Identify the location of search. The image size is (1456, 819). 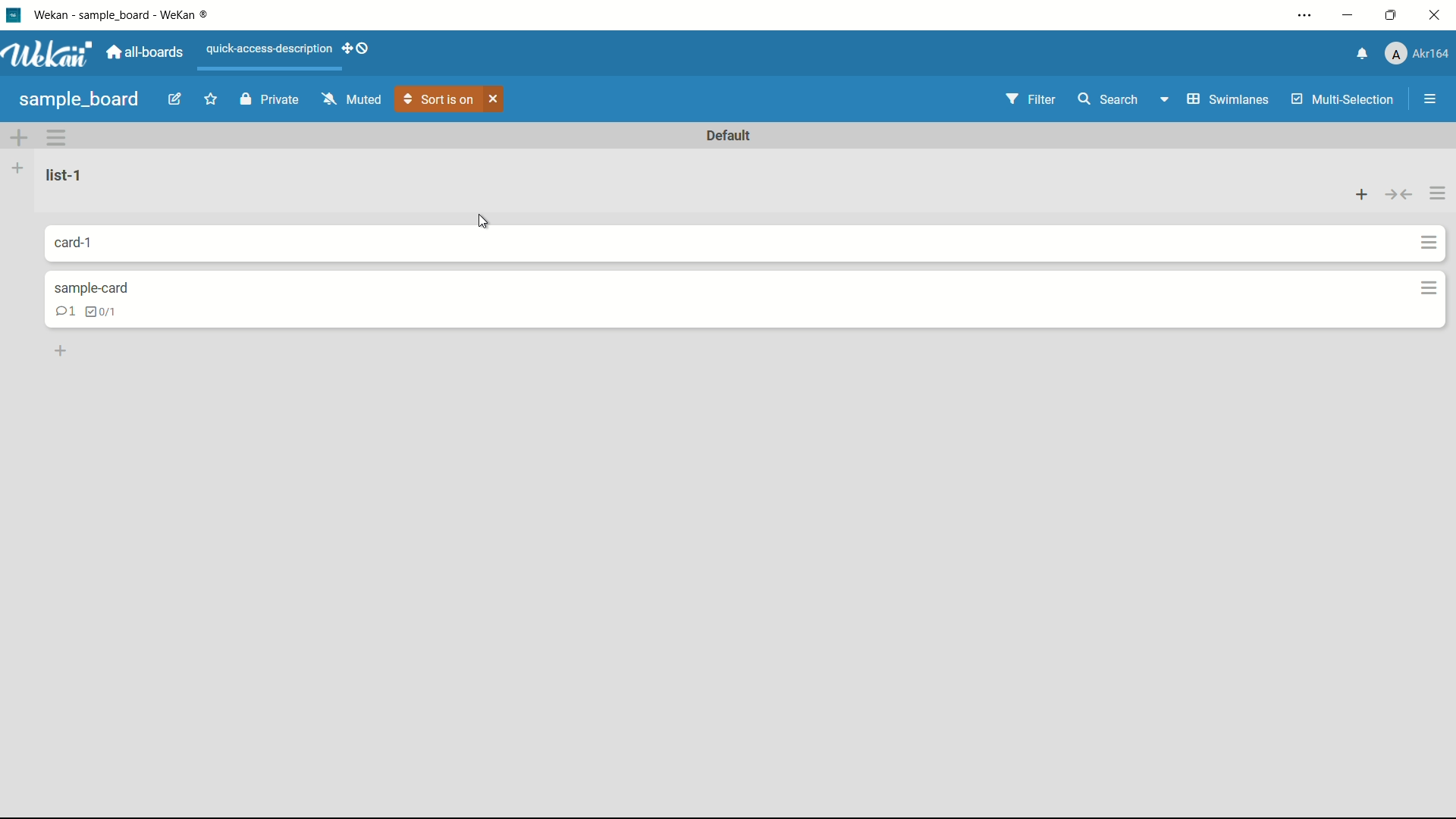
(1107, 99).